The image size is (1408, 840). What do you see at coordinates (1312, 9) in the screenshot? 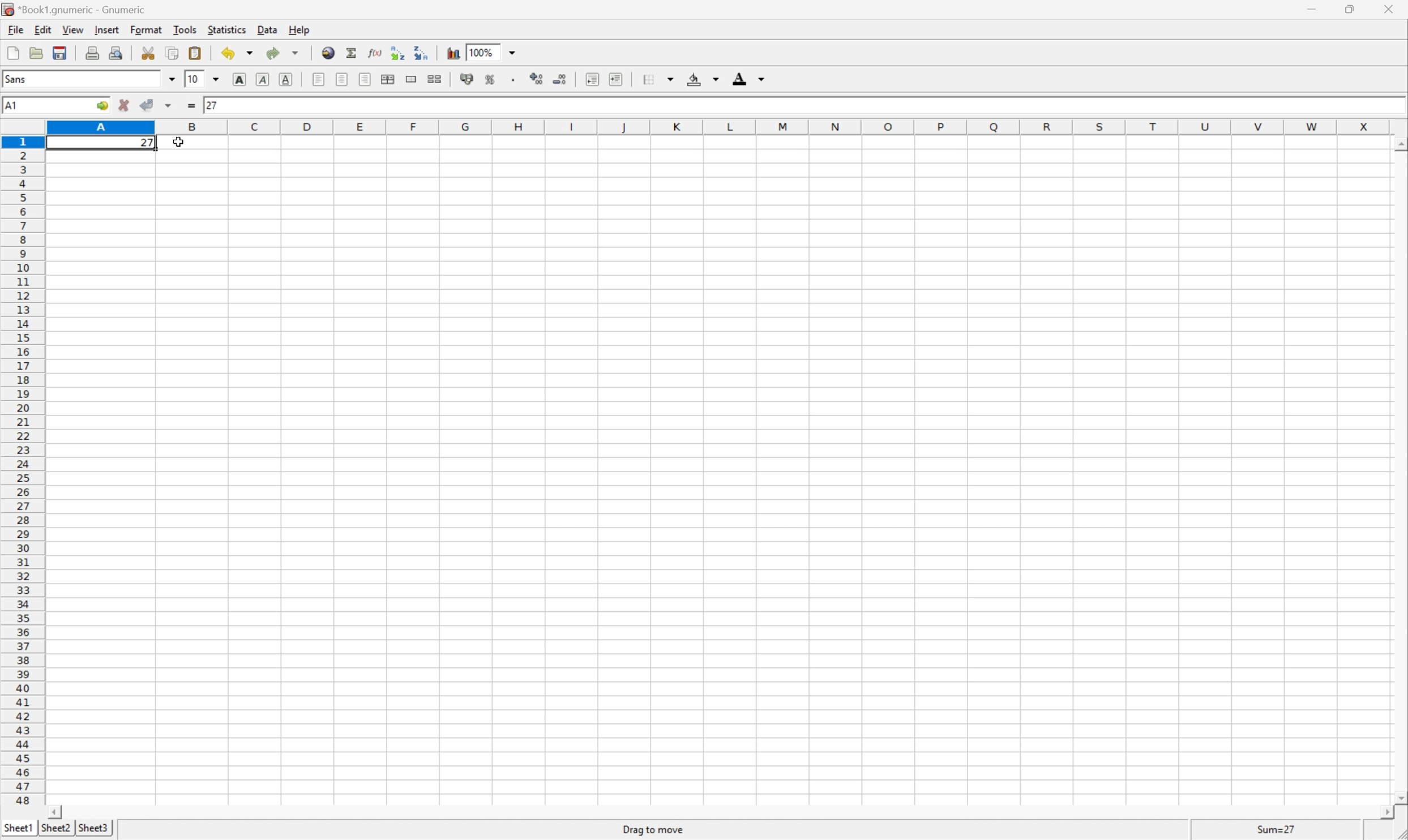
I see `Minimize` at bounding box center [1312, 9].